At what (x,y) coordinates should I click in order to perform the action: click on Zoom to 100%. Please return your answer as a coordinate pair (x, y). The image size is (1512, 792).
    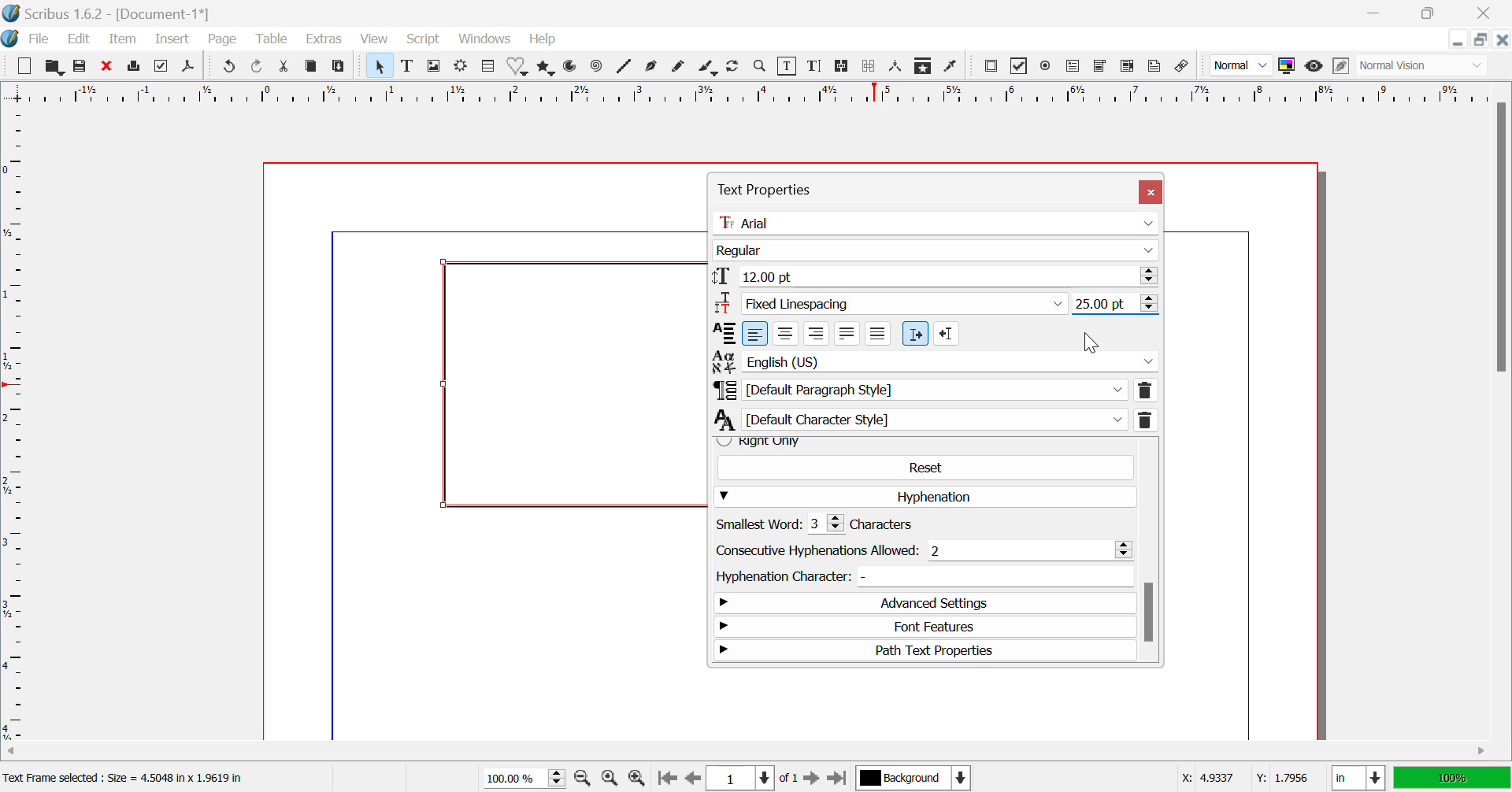
    Looking at the image, I should click on (610, 779).